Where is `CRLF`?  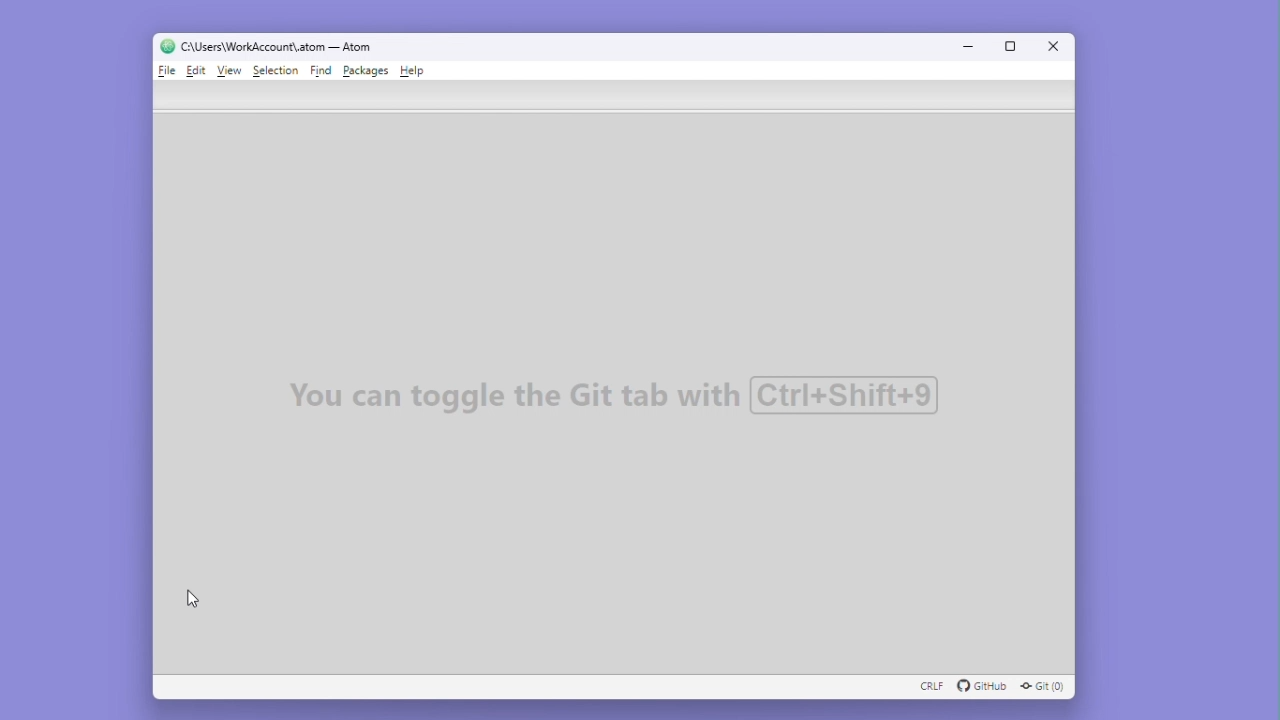
CRLF is located at coordinates (926, 686).